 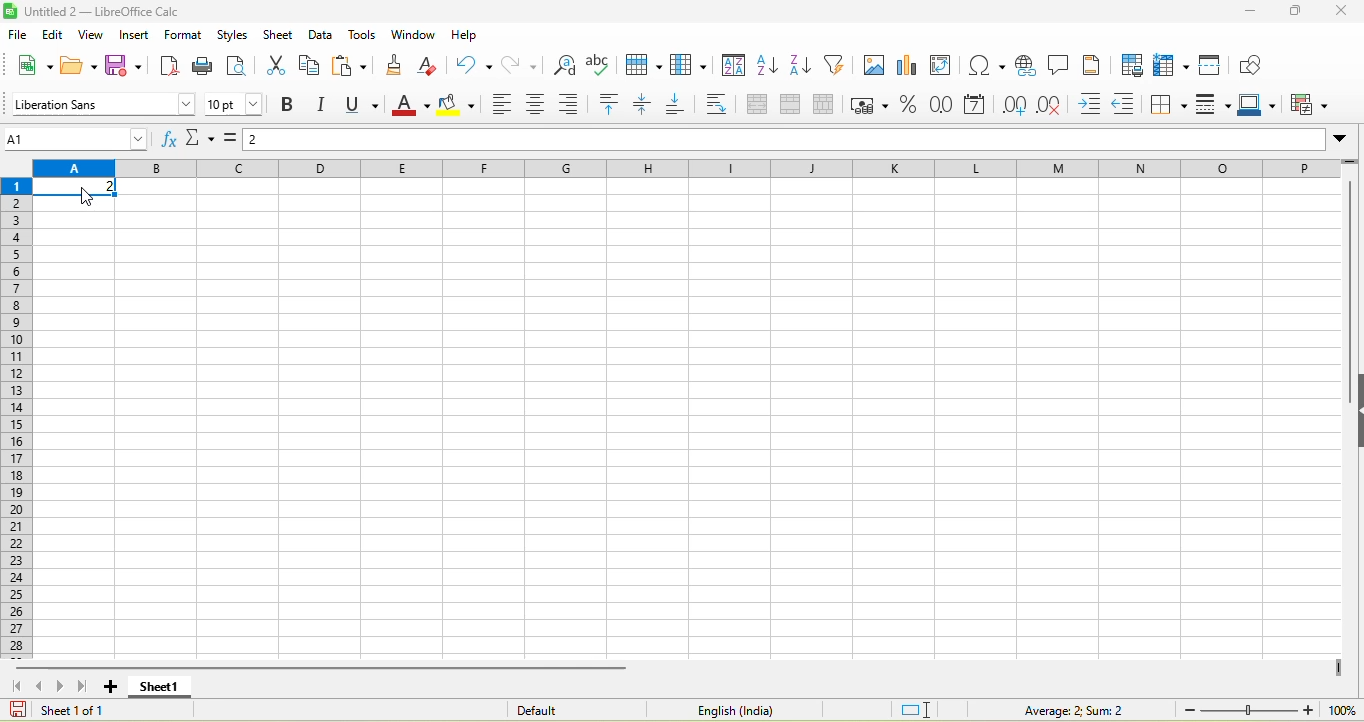 I want to click on save, so click(x=129, y=66).